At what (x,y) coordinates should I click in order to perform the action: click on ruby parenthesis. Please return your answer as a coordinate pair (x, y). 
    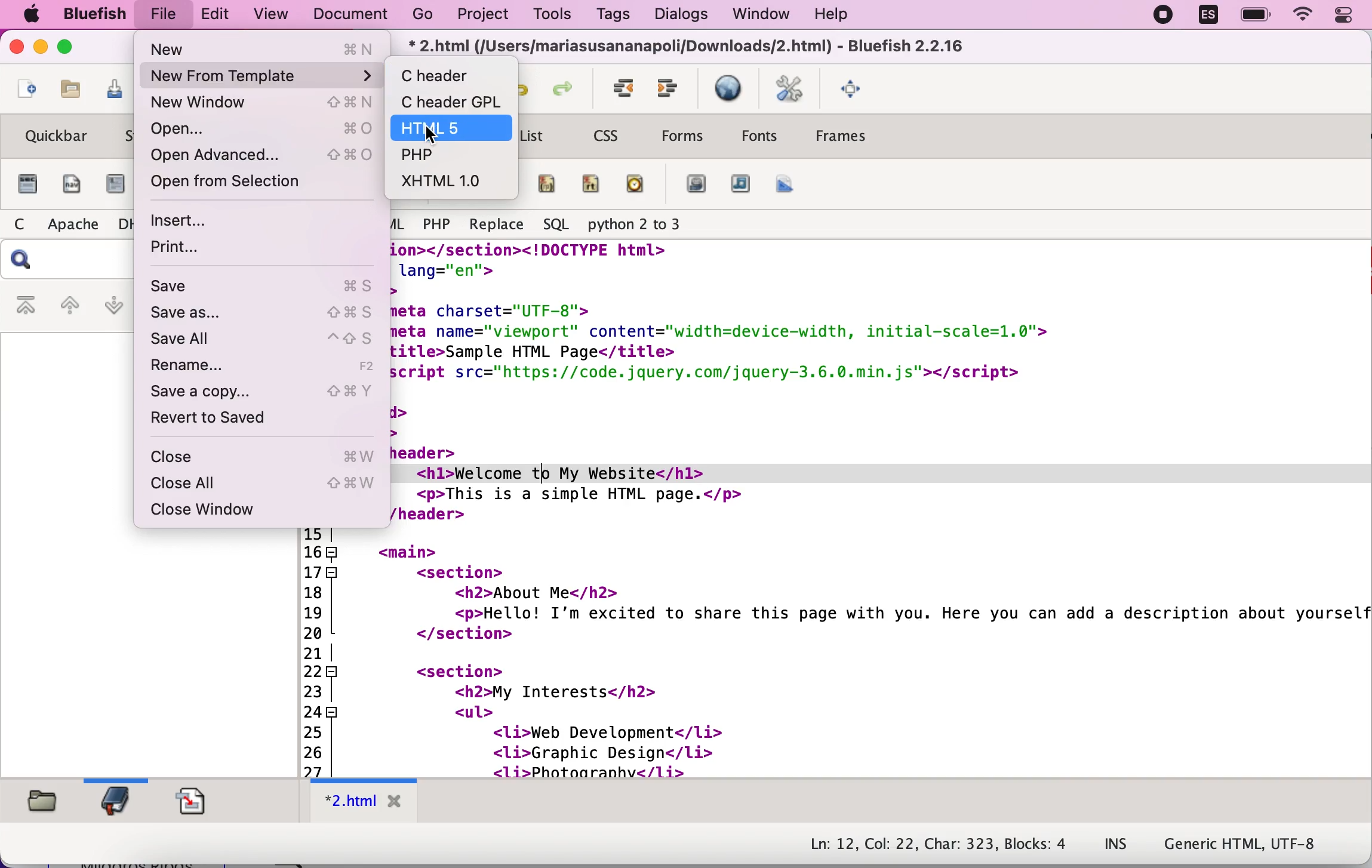
    Looking at the image, I should click on (546, 184).